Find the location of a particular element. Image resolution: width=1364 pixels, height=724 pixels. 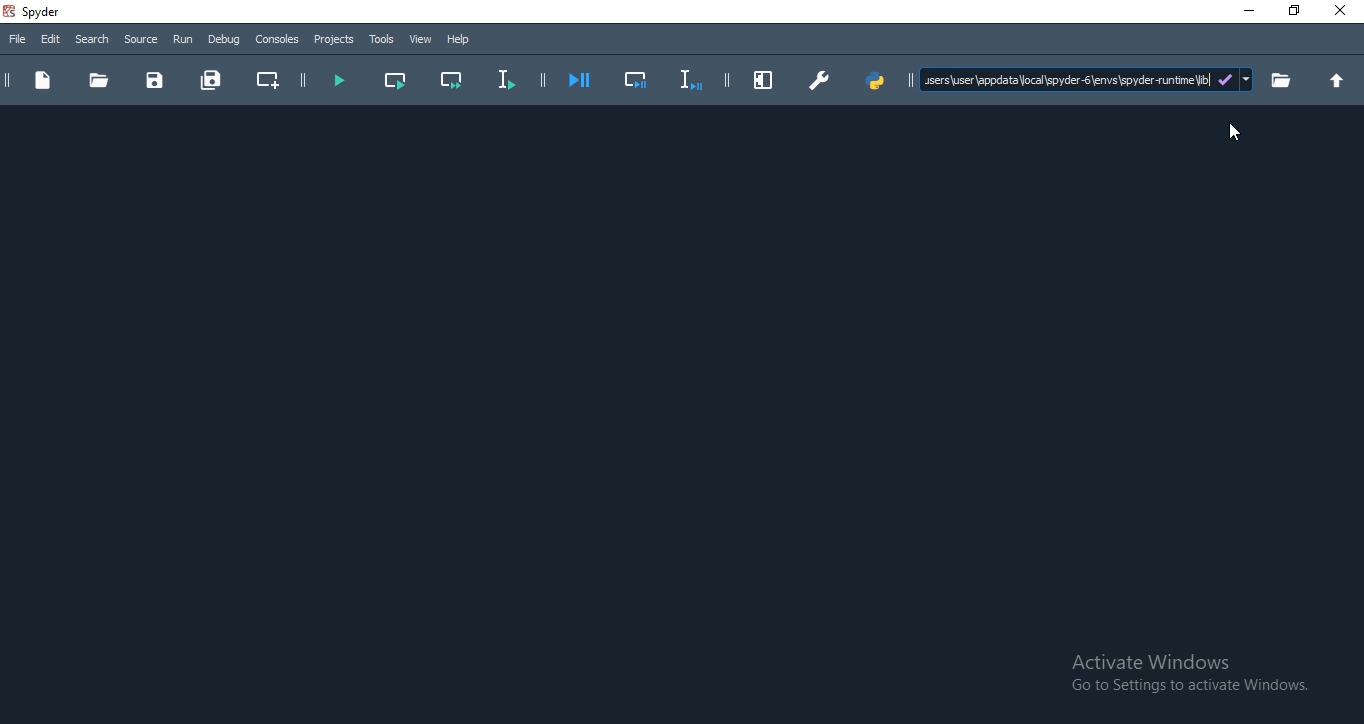

Cursor is located at coordinates (1234, 132).